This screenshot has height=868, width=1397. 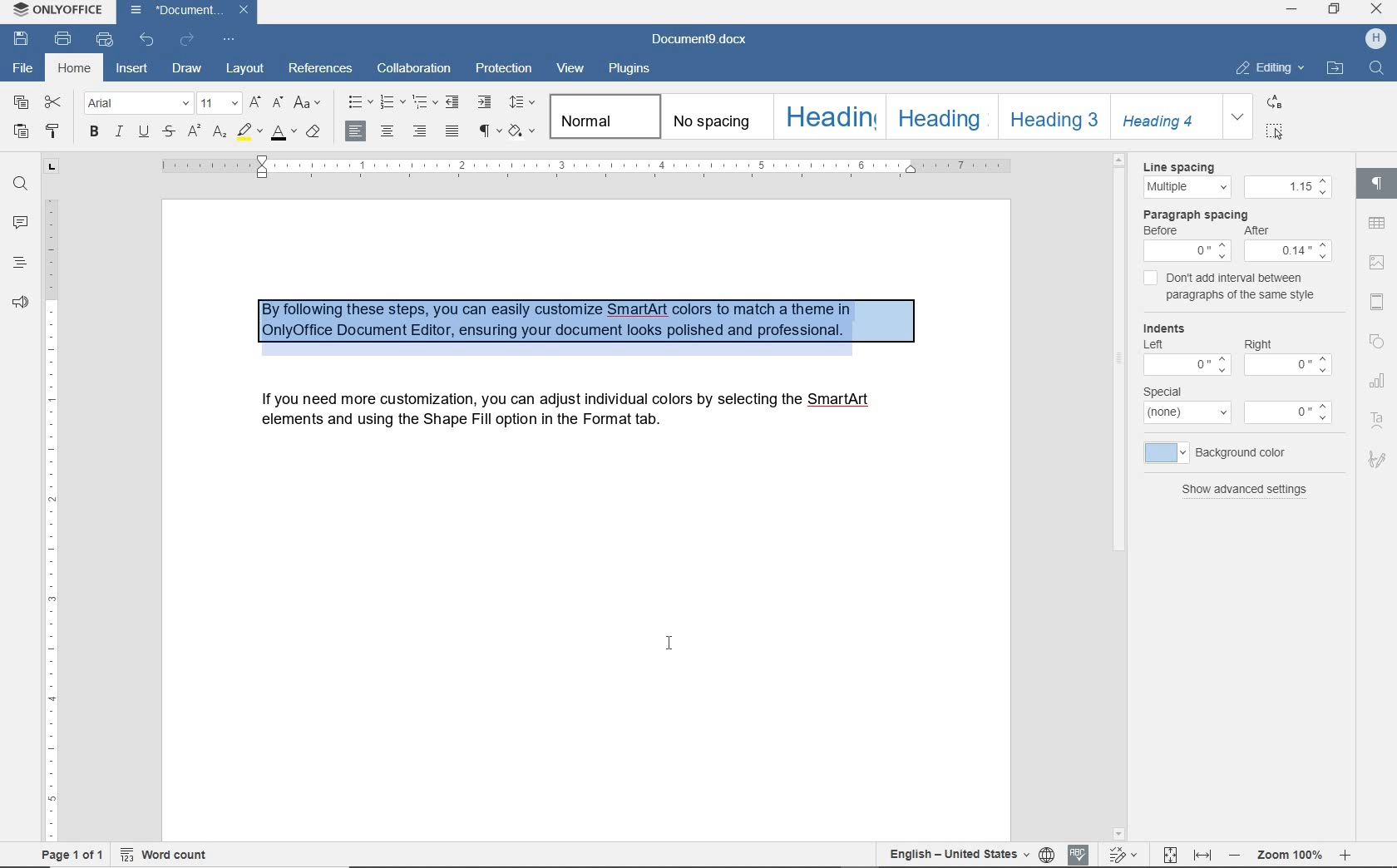 I want to click on header & footer, so click(x=1380, y=299).